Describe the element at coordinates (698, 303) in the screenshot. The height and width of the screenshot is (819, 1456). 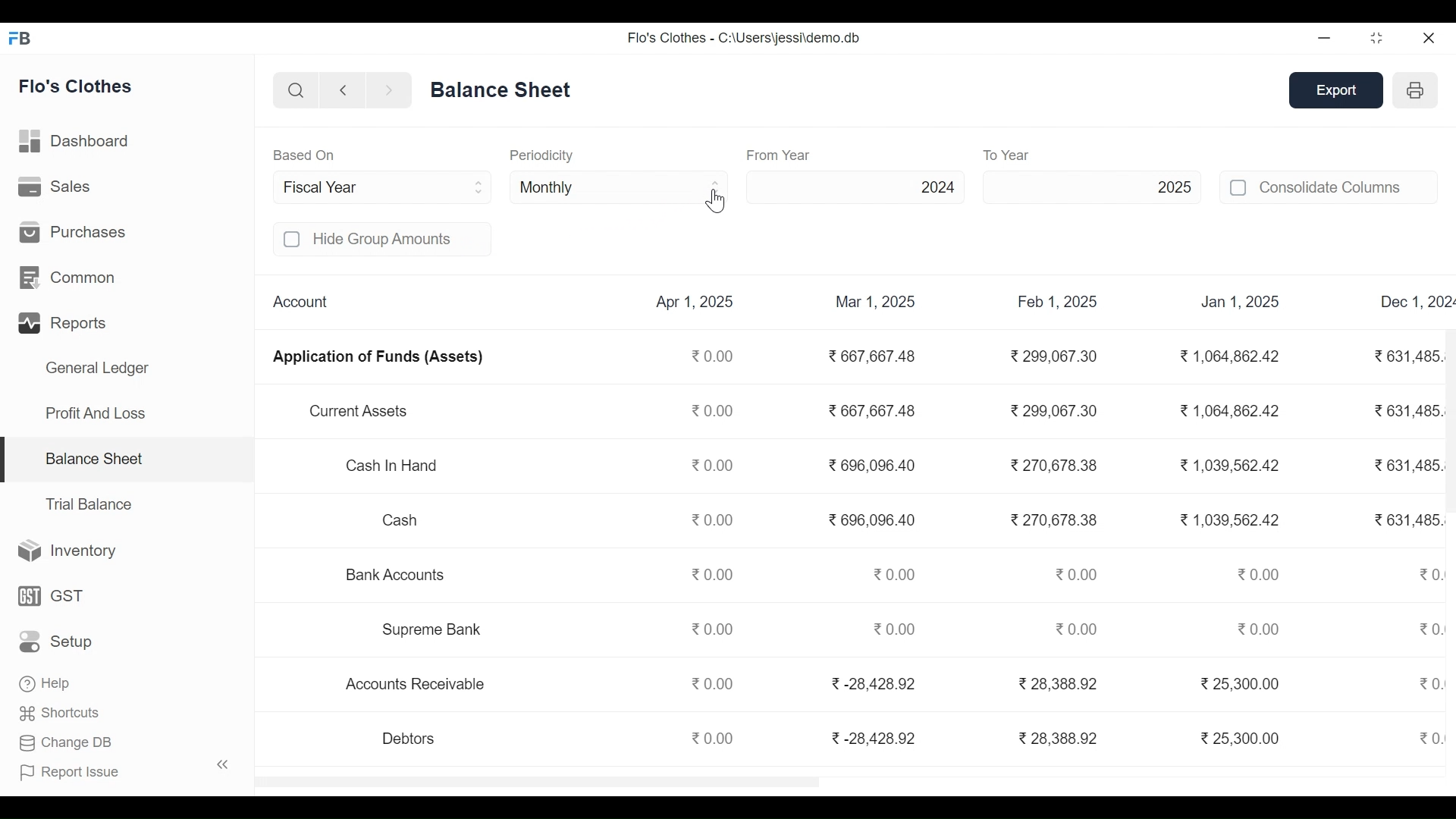
I see `Apr 1, 2025` at that location.